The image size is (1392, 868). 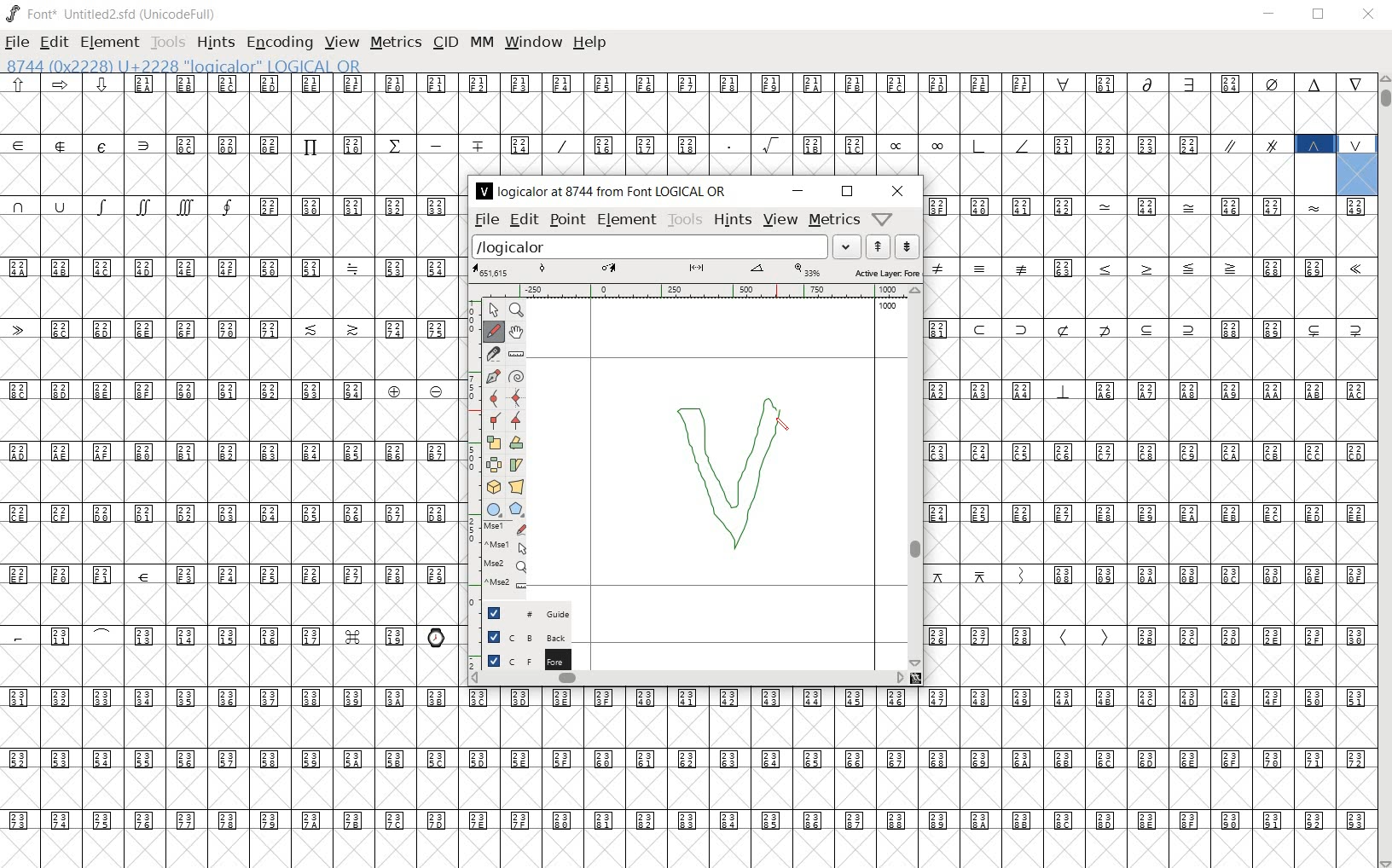 What do you see at coordinates (55, 42) in the screenshot?
I see `edit` at bounding box center [55, 42].